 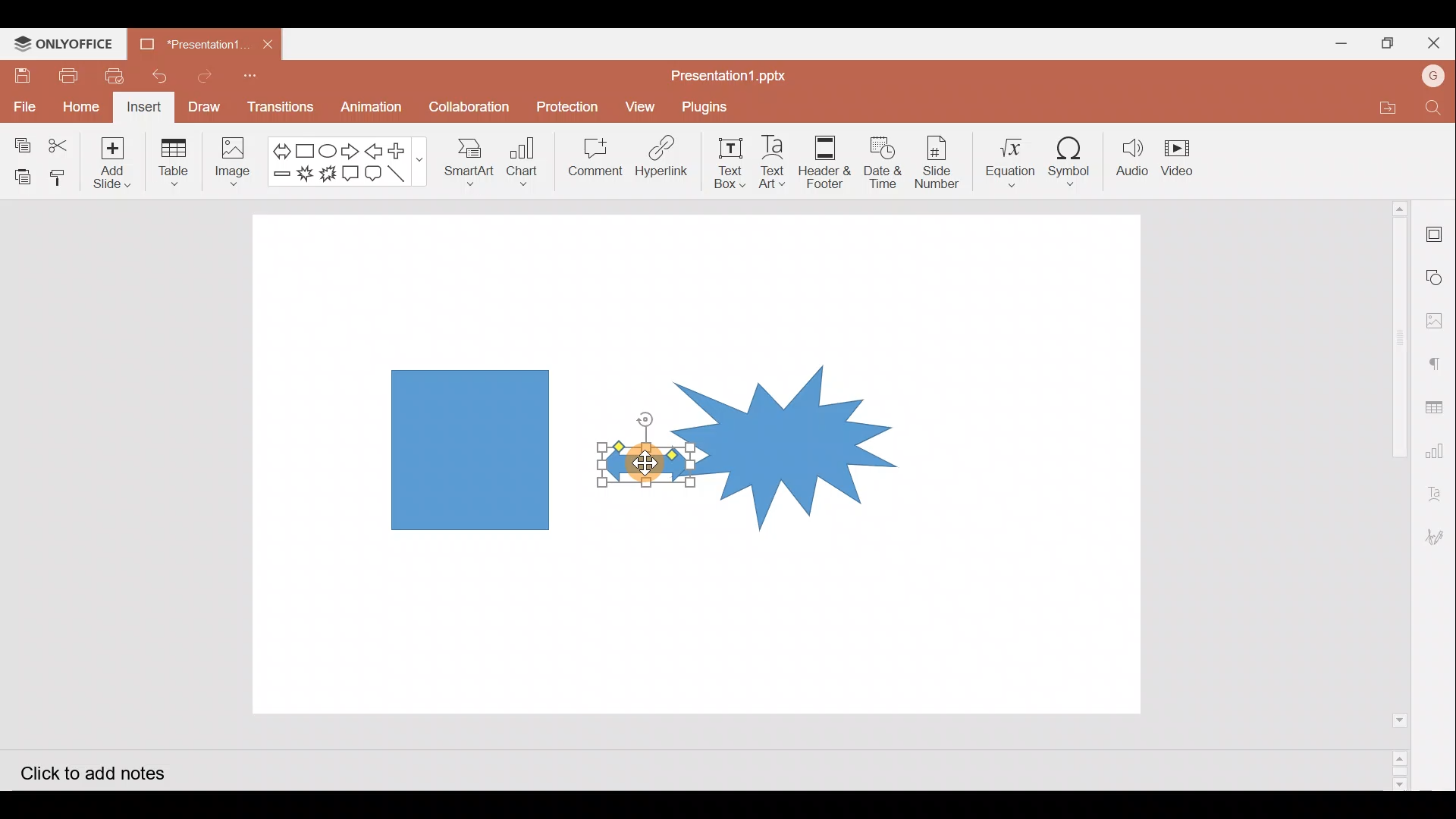 What do you see at coordinates (277, 148) in the screenshot?
I see `Left right arrow` at bounding box center [277, 148].